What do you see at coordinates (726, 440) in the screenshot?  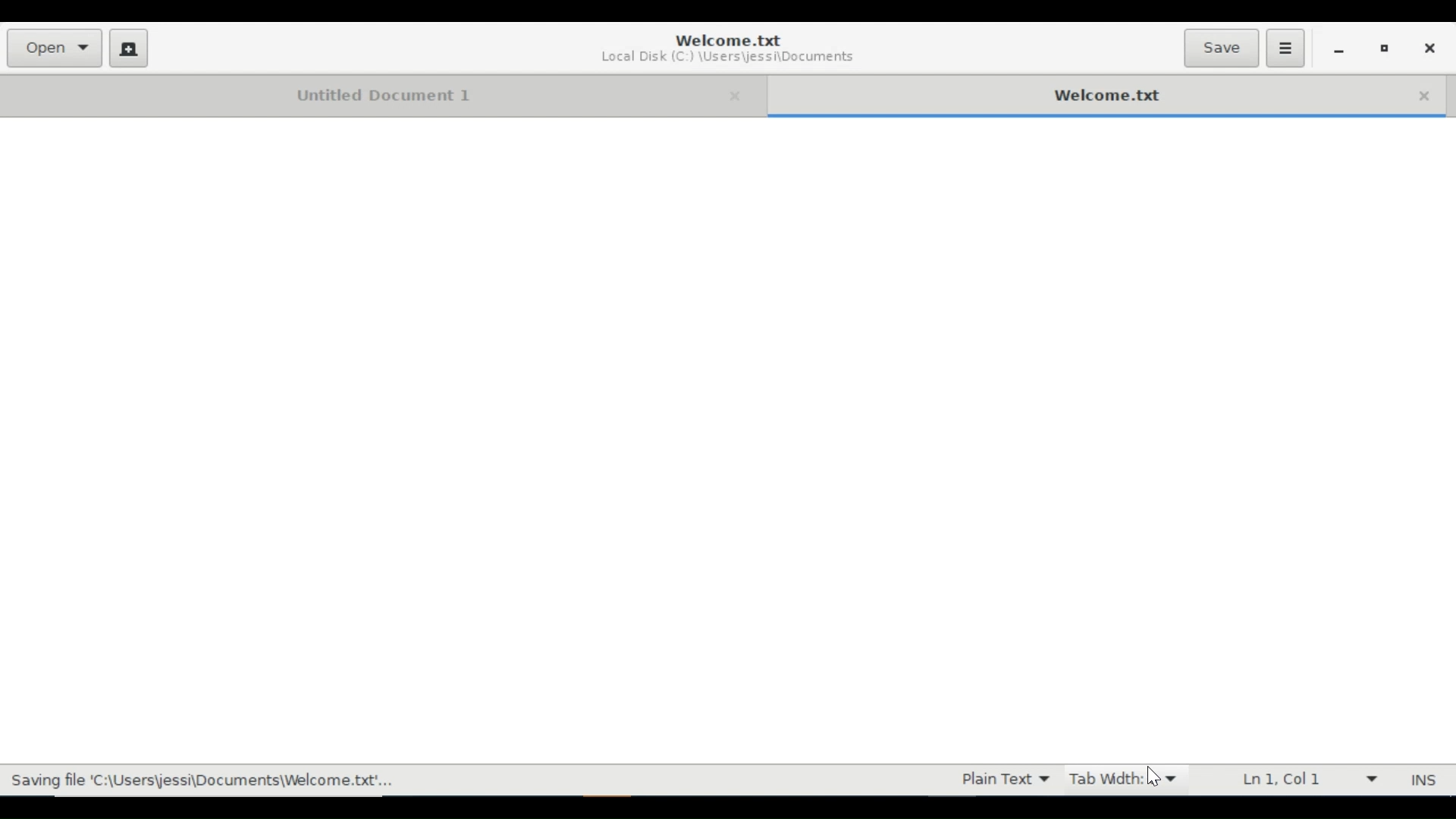 I see `Text Entry Pane` at bounding box center [726, 440].